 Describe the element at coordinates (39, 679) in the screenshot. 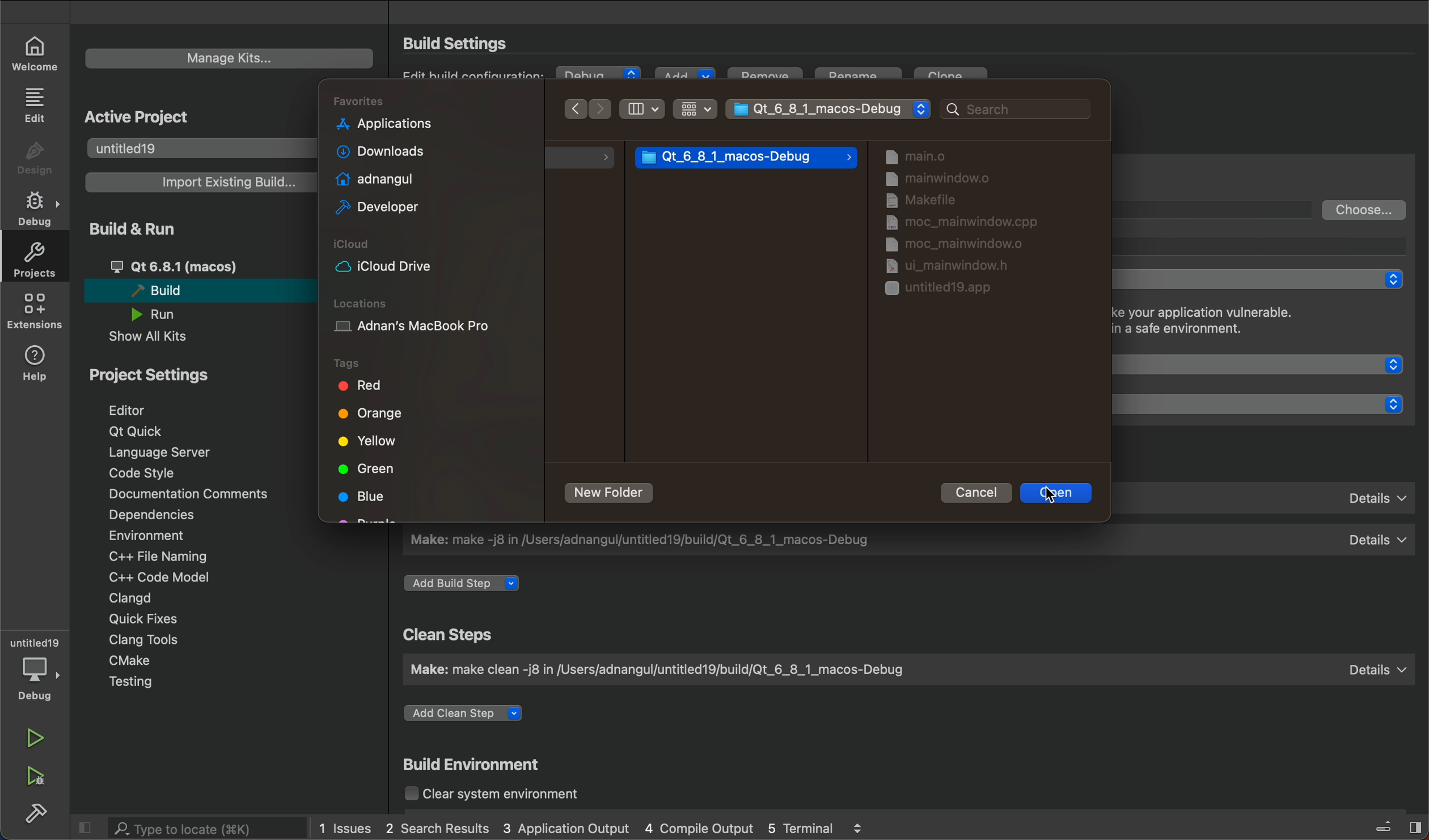

I see `debug` at that location.